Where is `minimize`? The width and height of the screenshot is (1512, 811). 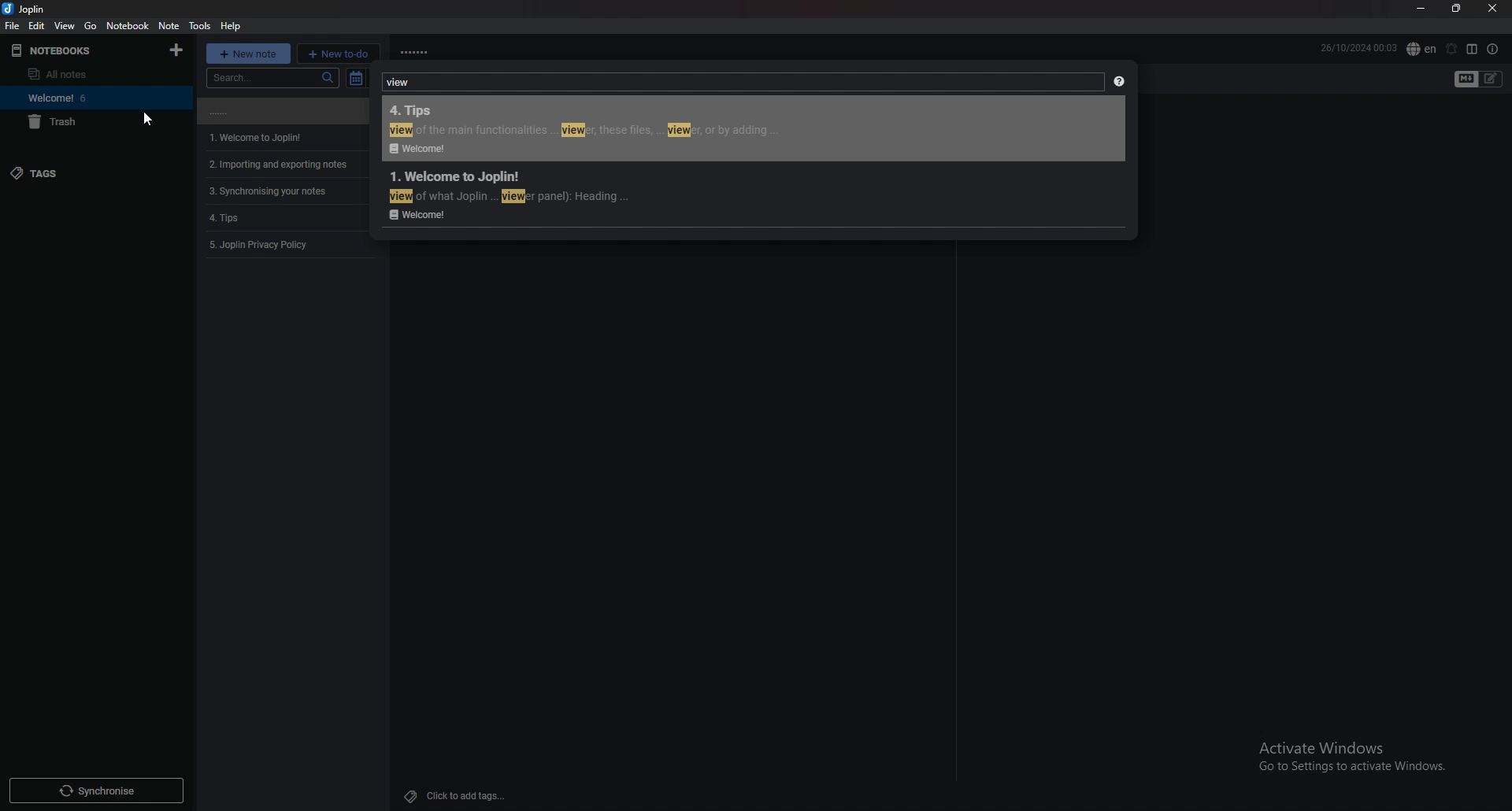 minimize is located at coordinates (1422, 9).